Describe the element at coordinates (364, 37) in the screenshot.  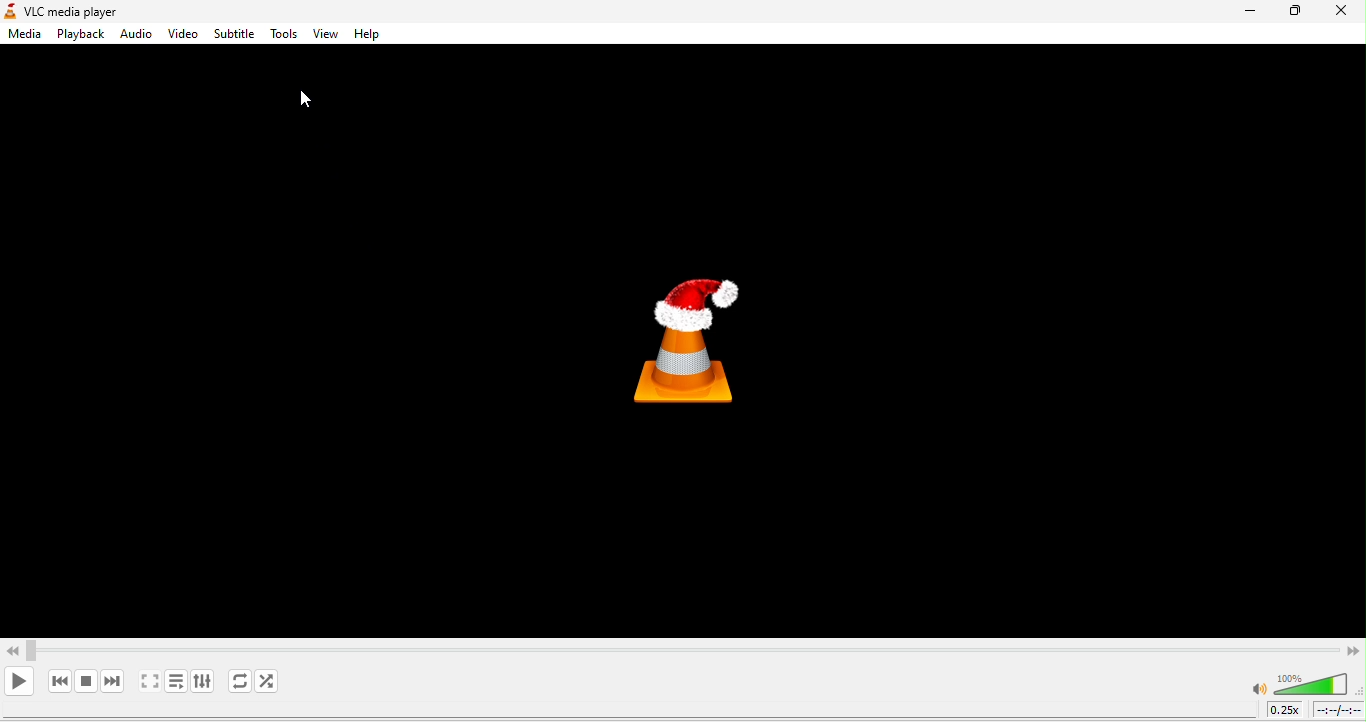
I see `help` at that location.